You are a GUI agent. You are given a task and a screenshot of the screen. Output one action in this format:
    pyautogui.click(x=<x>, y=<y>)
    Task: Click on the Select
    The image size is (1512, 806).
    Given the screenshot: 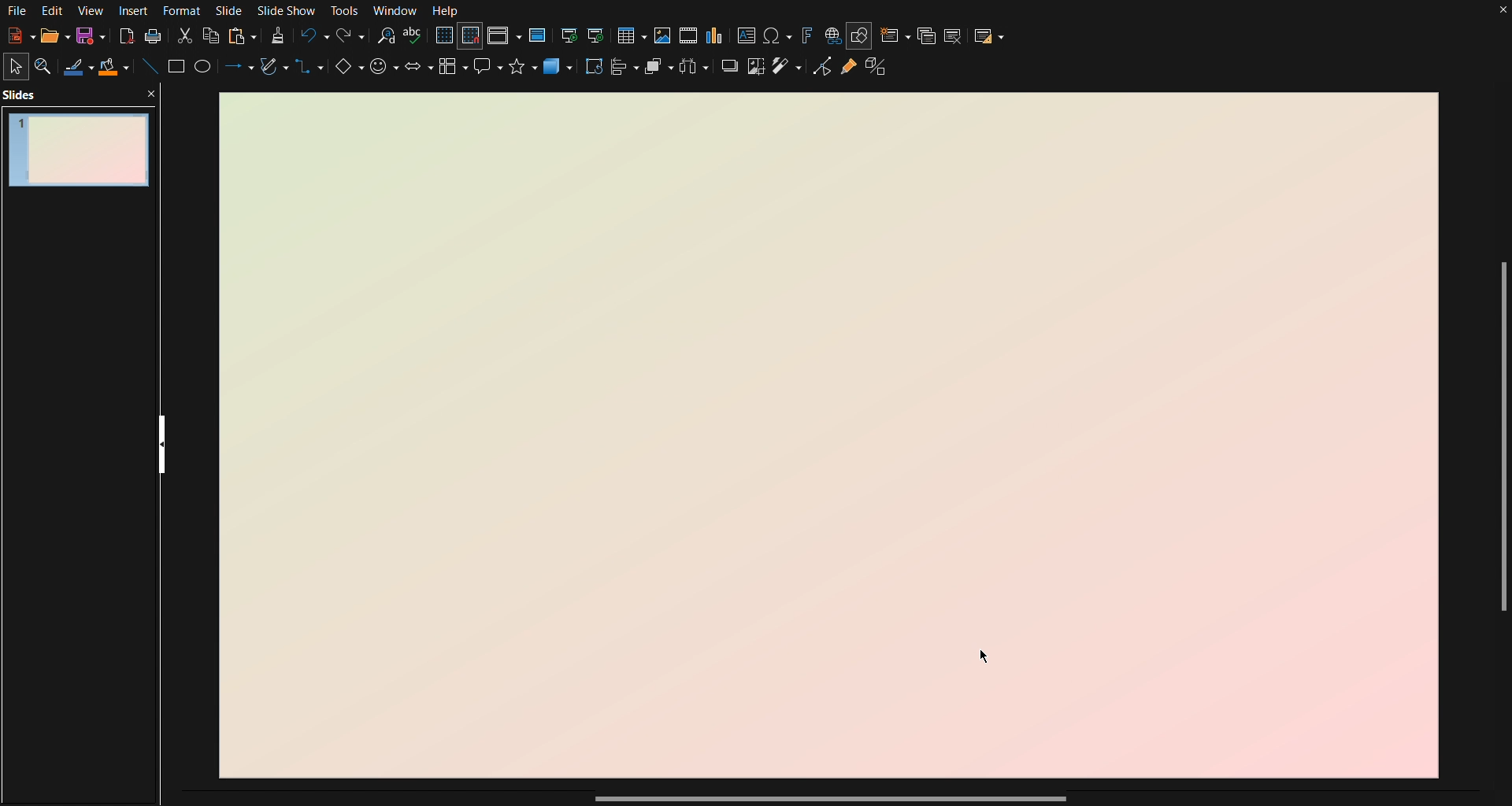 What is the action you would take?
    pyautogui.click(x=17, y=65)
    